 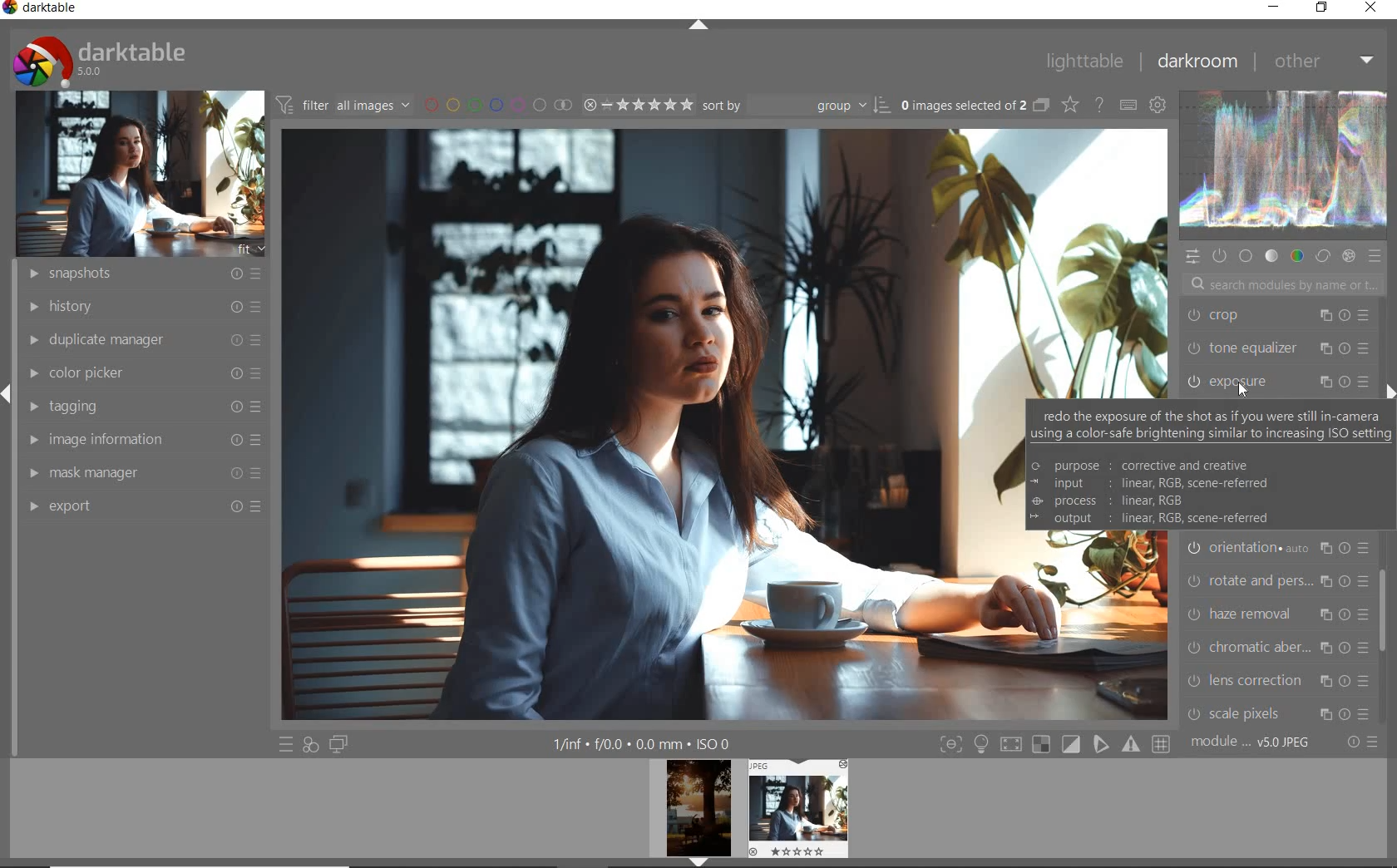 I want to click on TONE, so click(x=1271, y=256).